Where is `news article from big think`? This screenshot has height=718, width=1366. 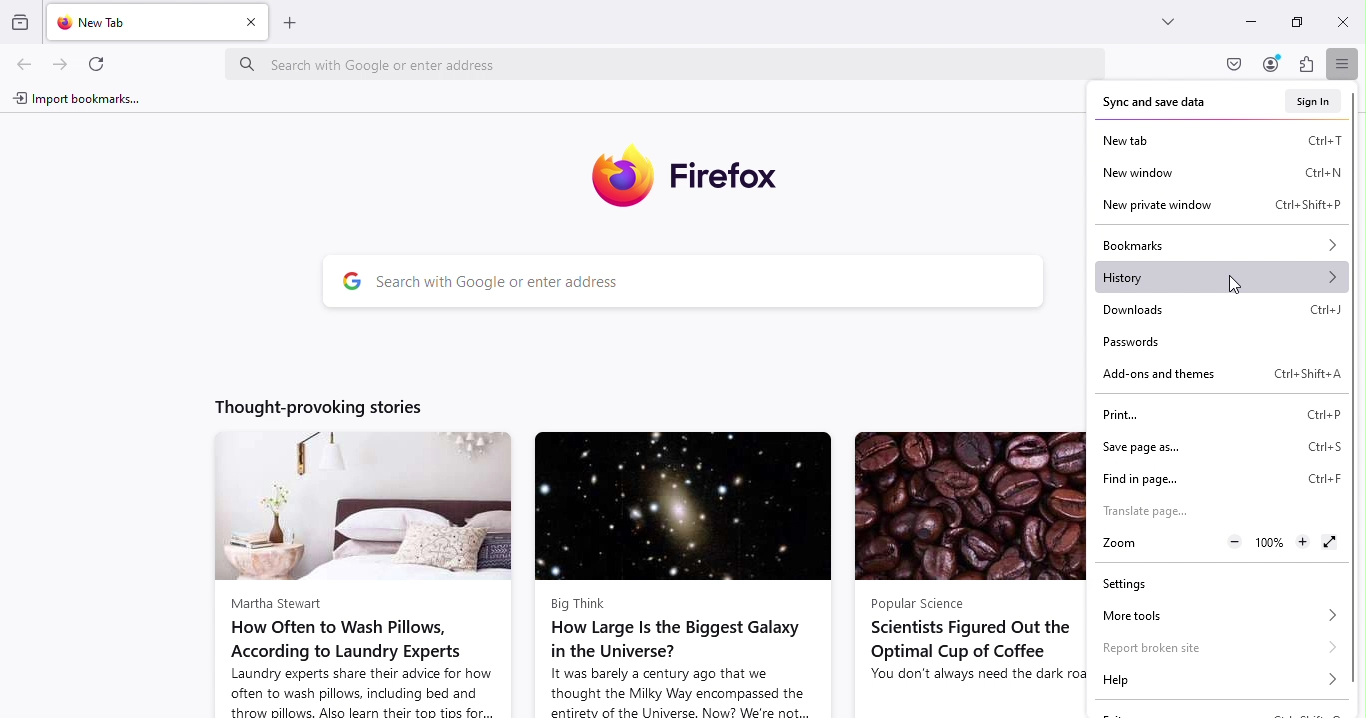
news article from big think is located at coordinates (681, 573).